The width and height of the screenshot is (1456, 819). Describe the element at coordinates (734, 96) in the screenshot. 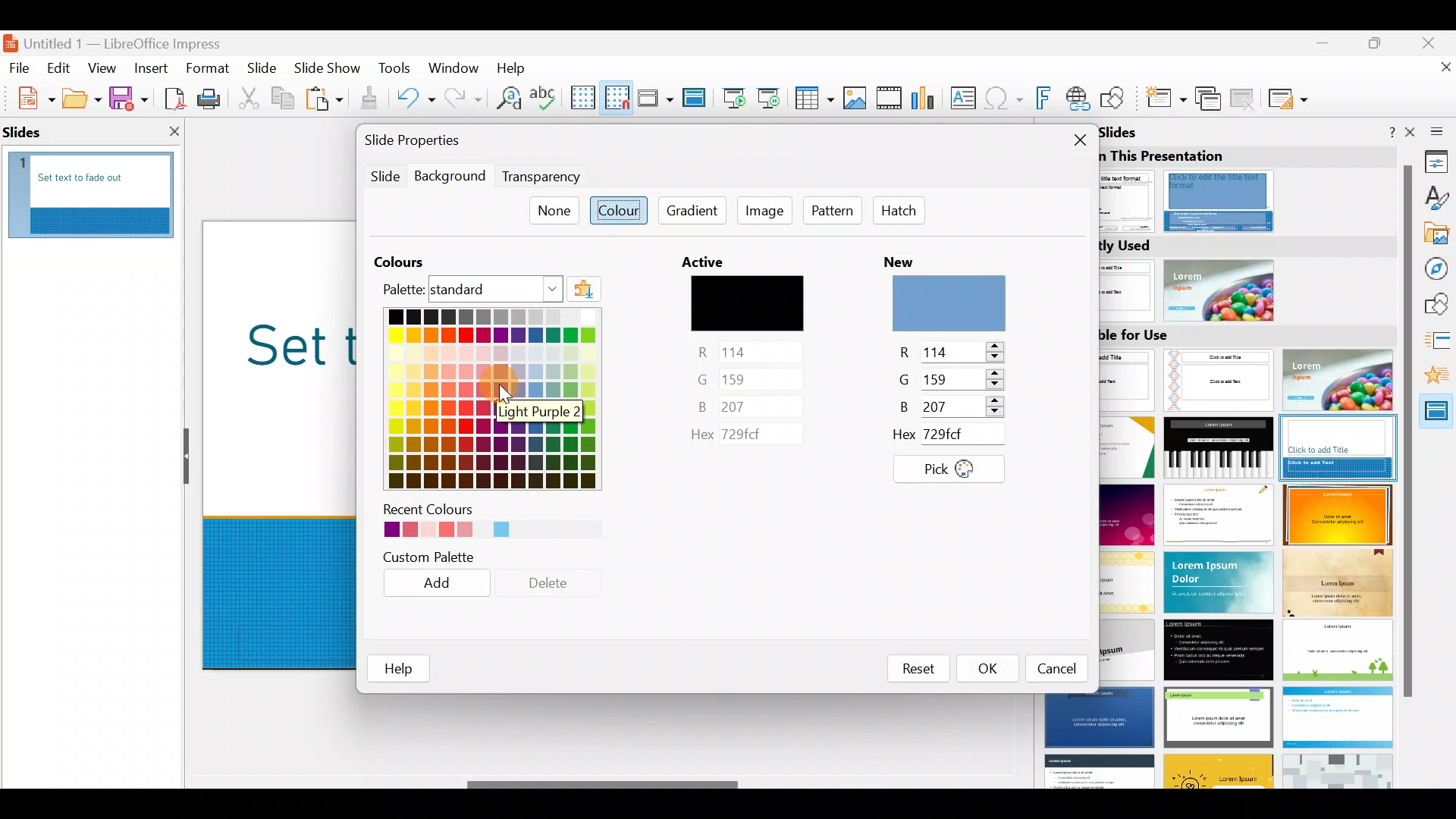

I see `Start from first slide` at that location.